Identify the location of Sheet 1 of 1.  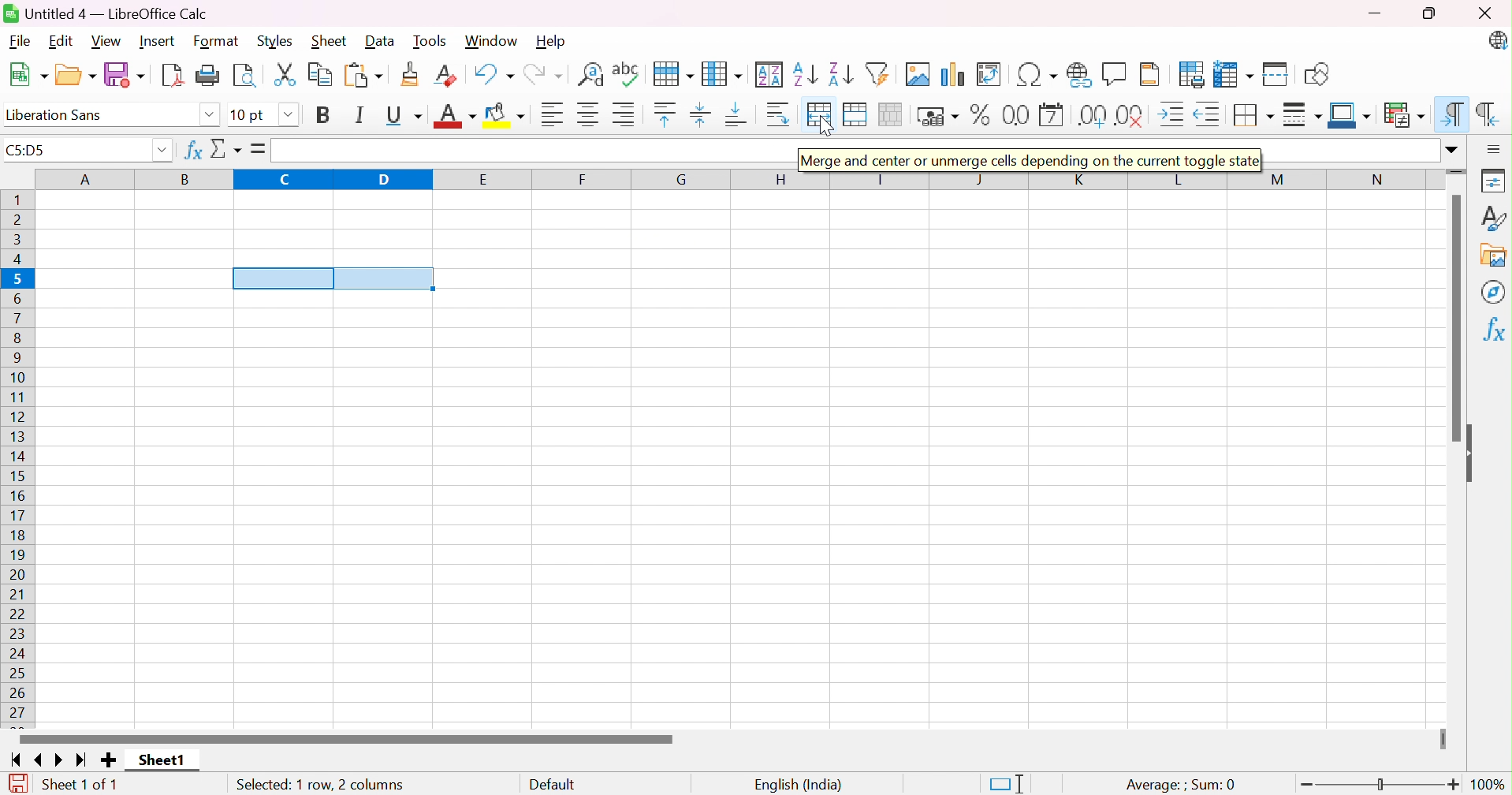
(82, 782).